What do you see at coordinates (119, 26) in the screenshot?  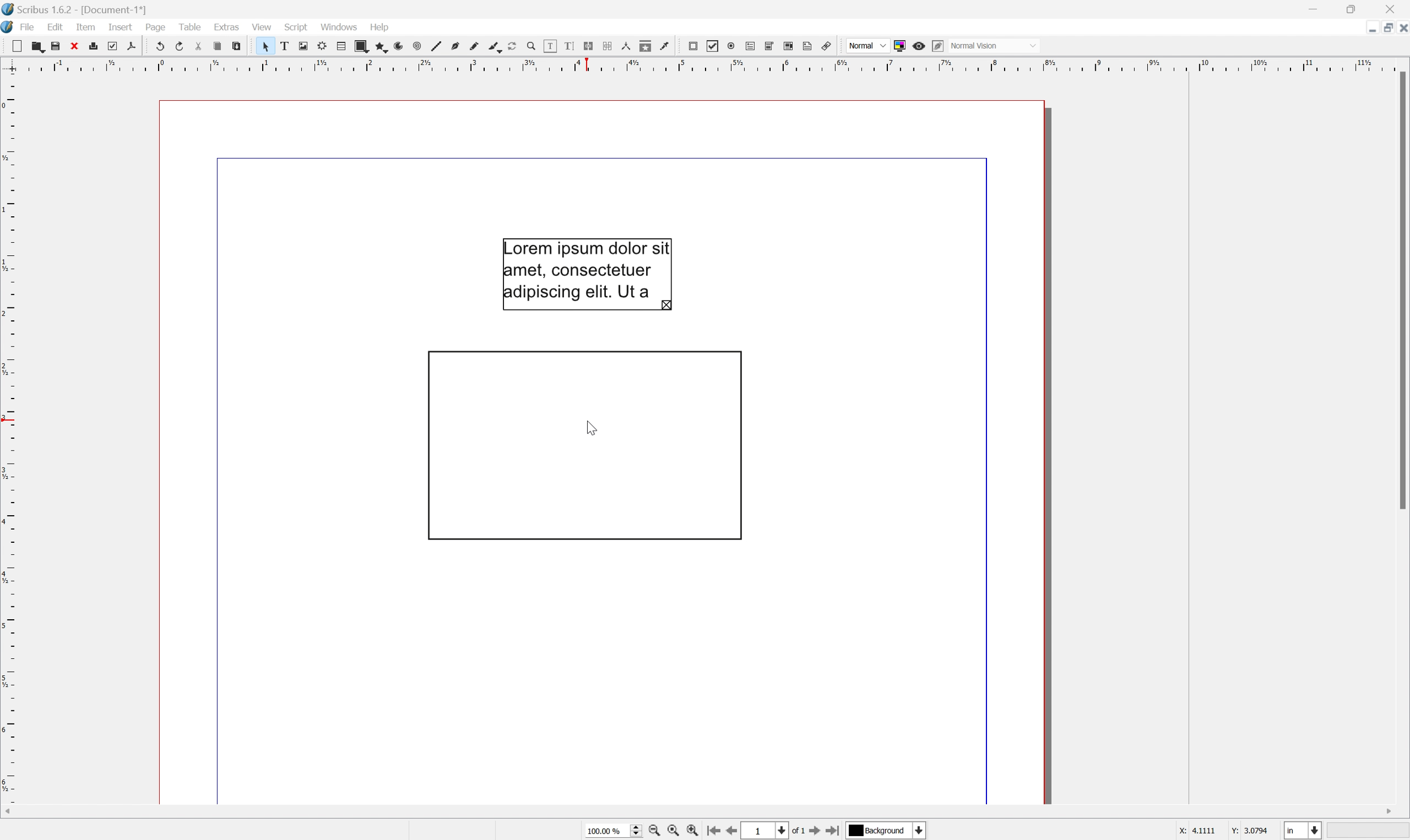 I see `Insert` at bounding box center [119, 26].